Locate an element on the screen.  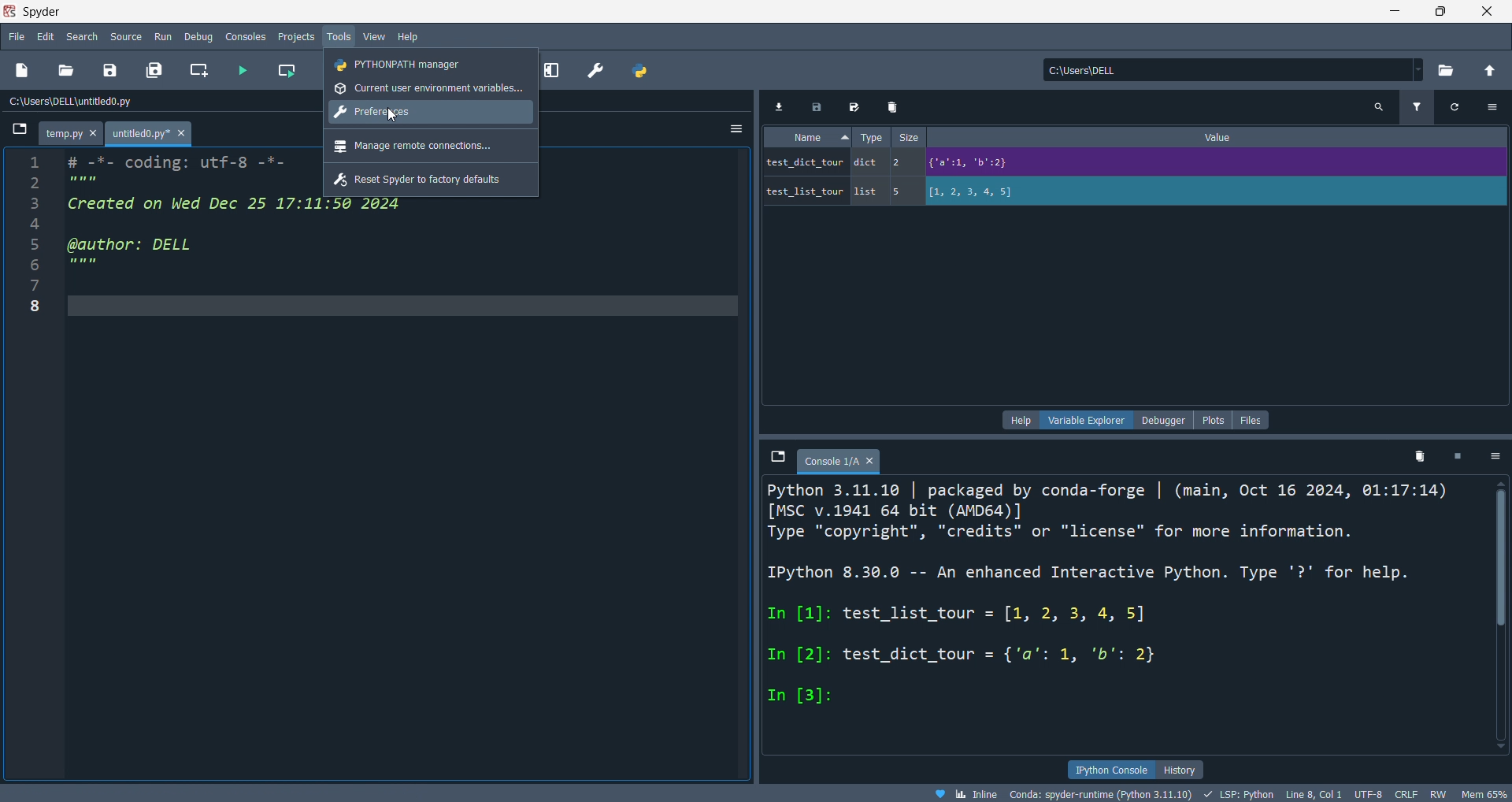
history is located at coordinates (1185, 769).